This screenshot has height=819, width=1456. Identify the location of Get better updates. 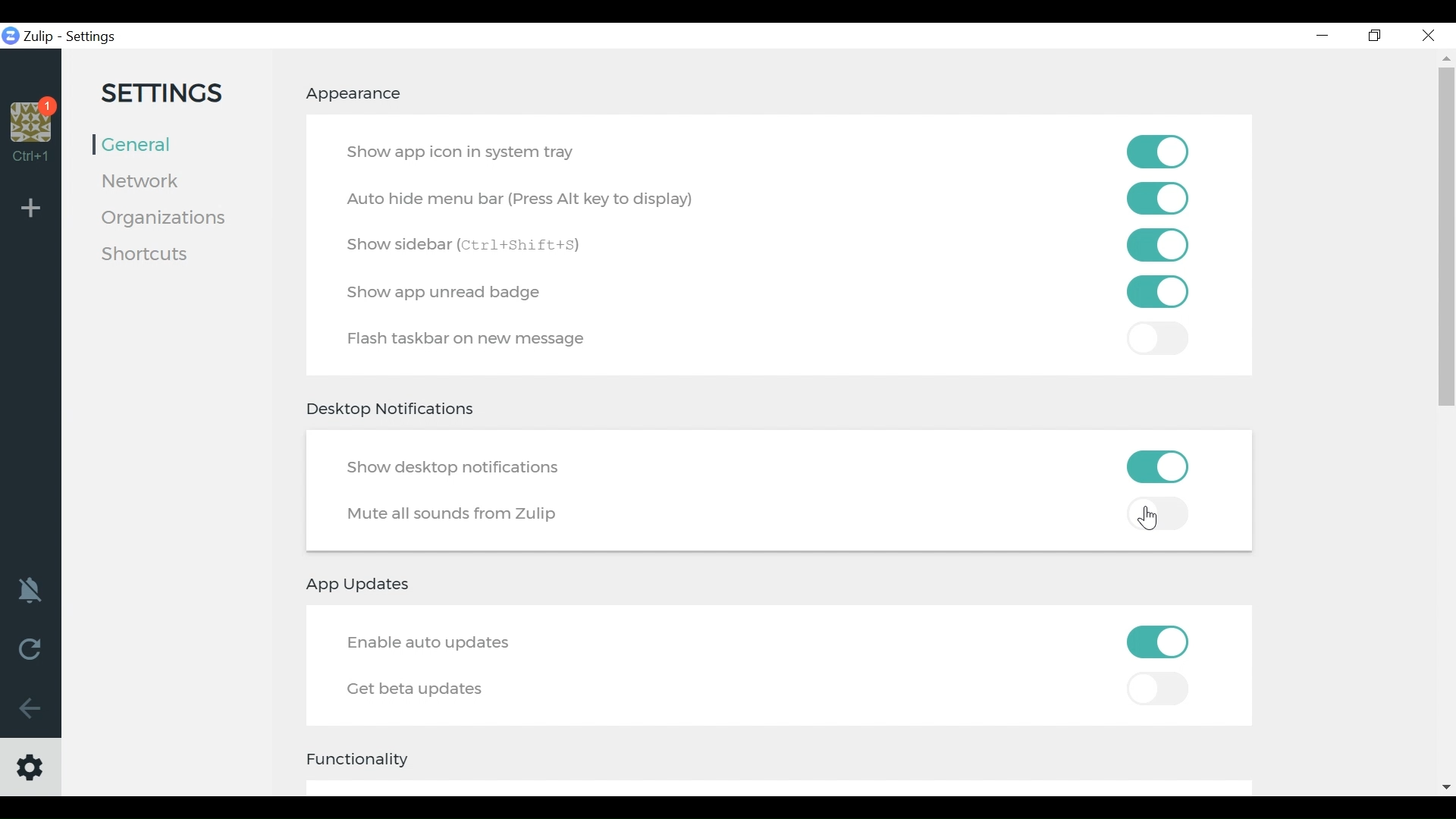
(418, 689).